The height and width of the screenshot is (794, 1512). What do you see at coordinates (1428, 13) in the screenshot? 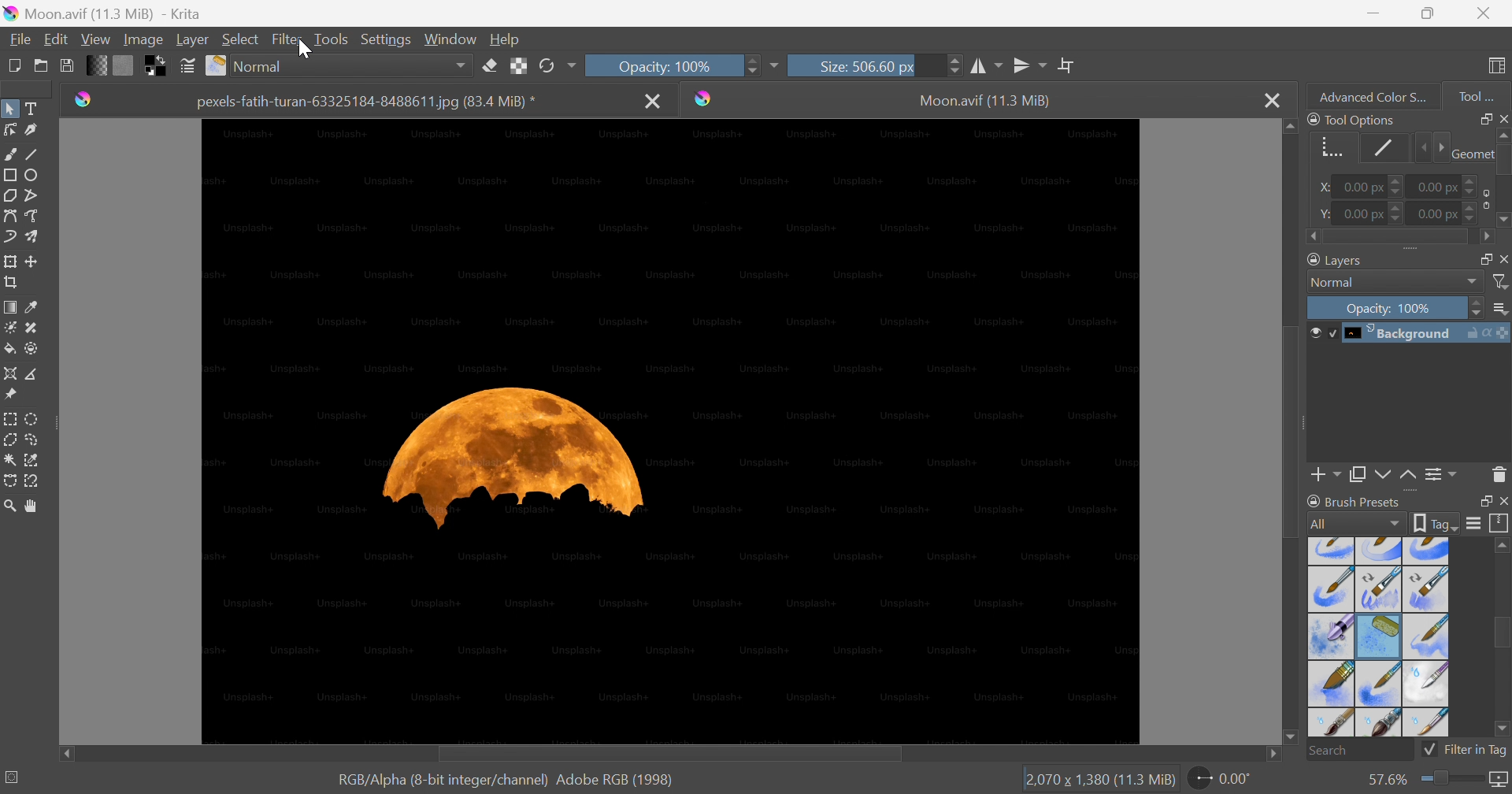
I see `Restore down` at bounding box center [1428, 13].